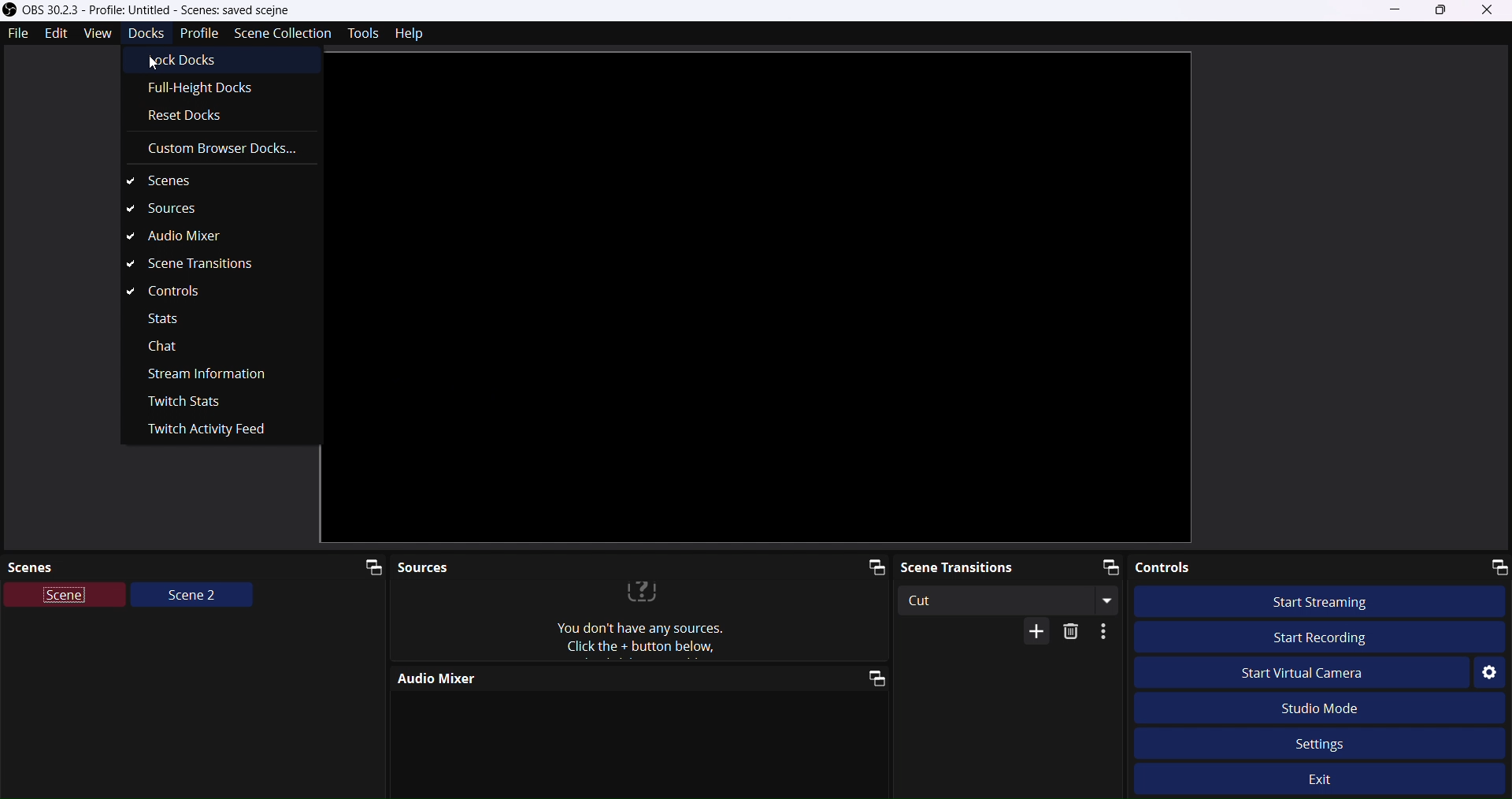 This screenshot has height=799, width=1512. I want to click on View, so click(93, 35).